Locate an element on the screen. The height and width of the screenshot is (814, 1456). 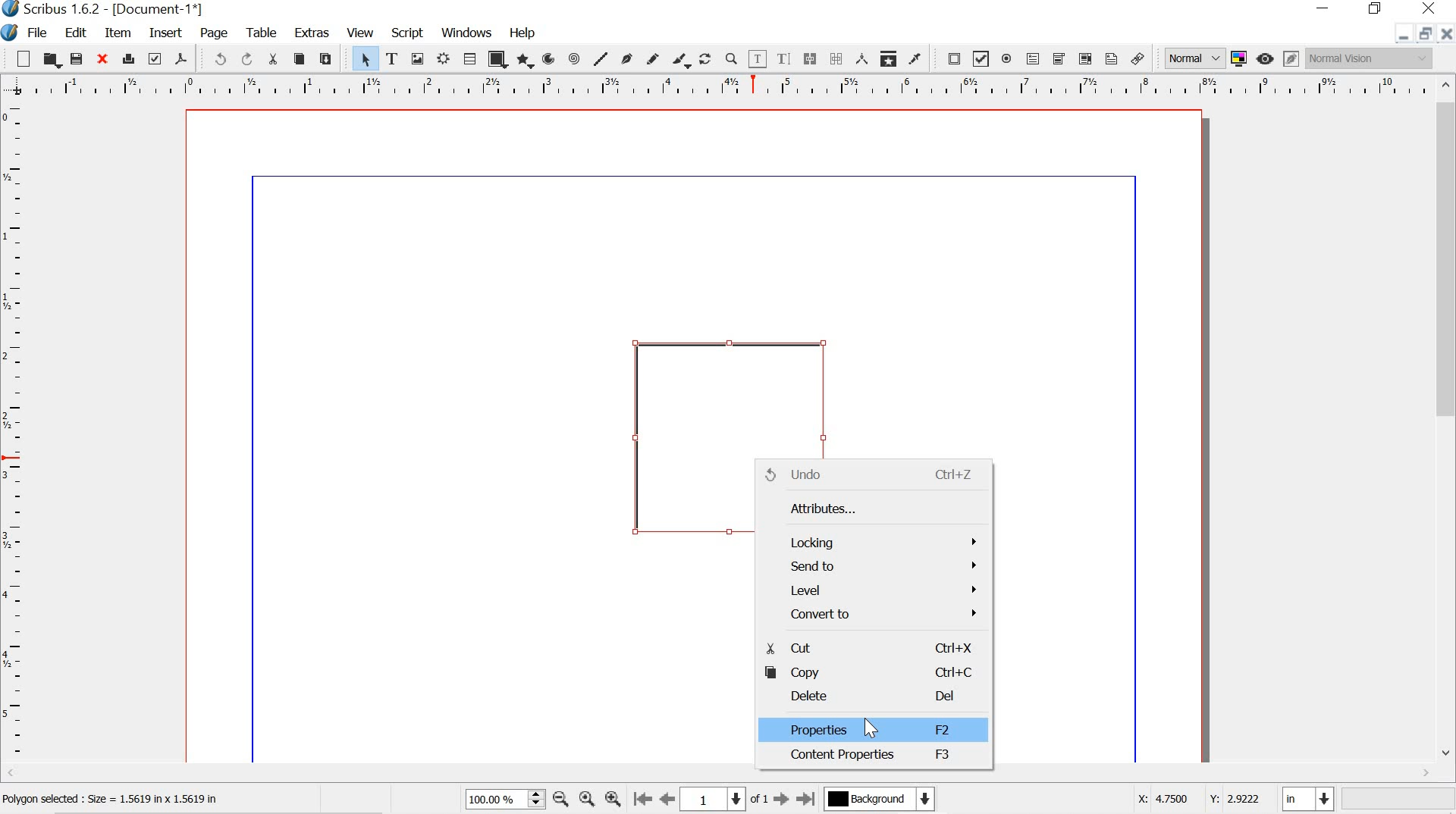
 Copy Ctrl+C is located at coordinates (874, 673).